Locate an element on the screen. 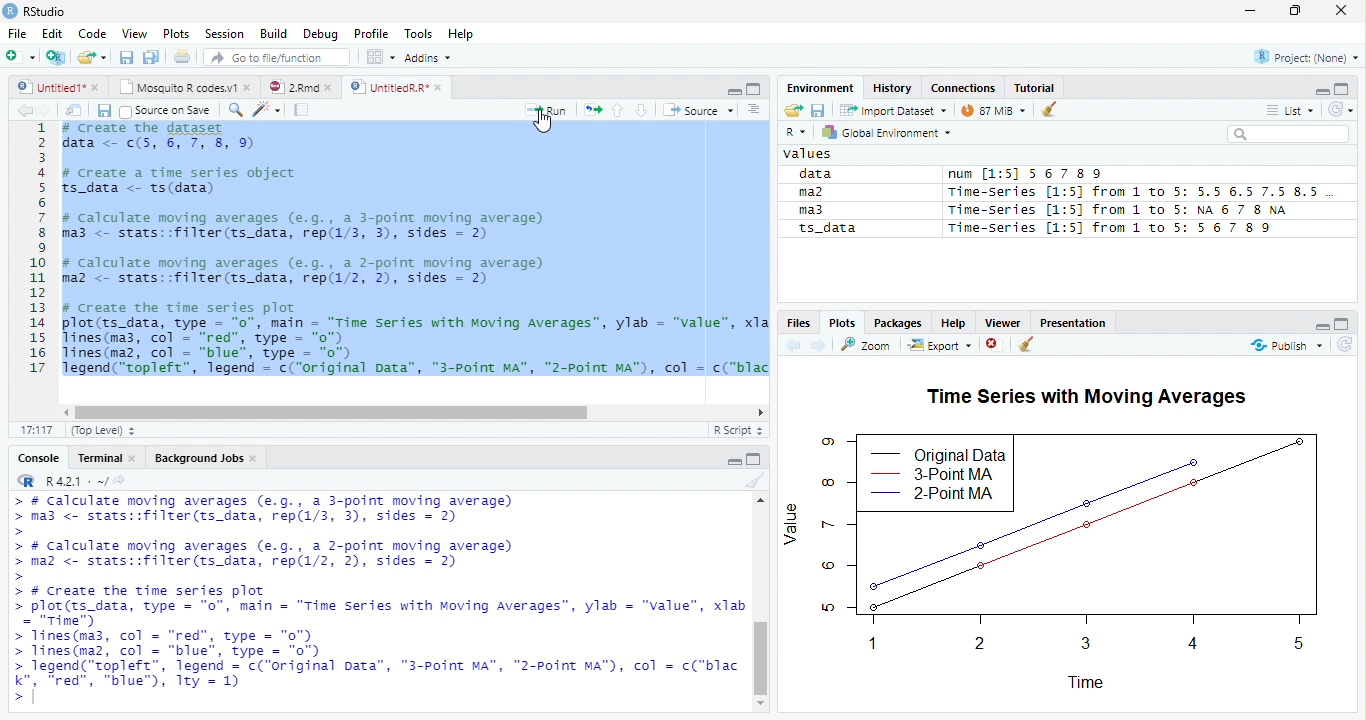  wrokspace pan is located at coordinates (379, 57).